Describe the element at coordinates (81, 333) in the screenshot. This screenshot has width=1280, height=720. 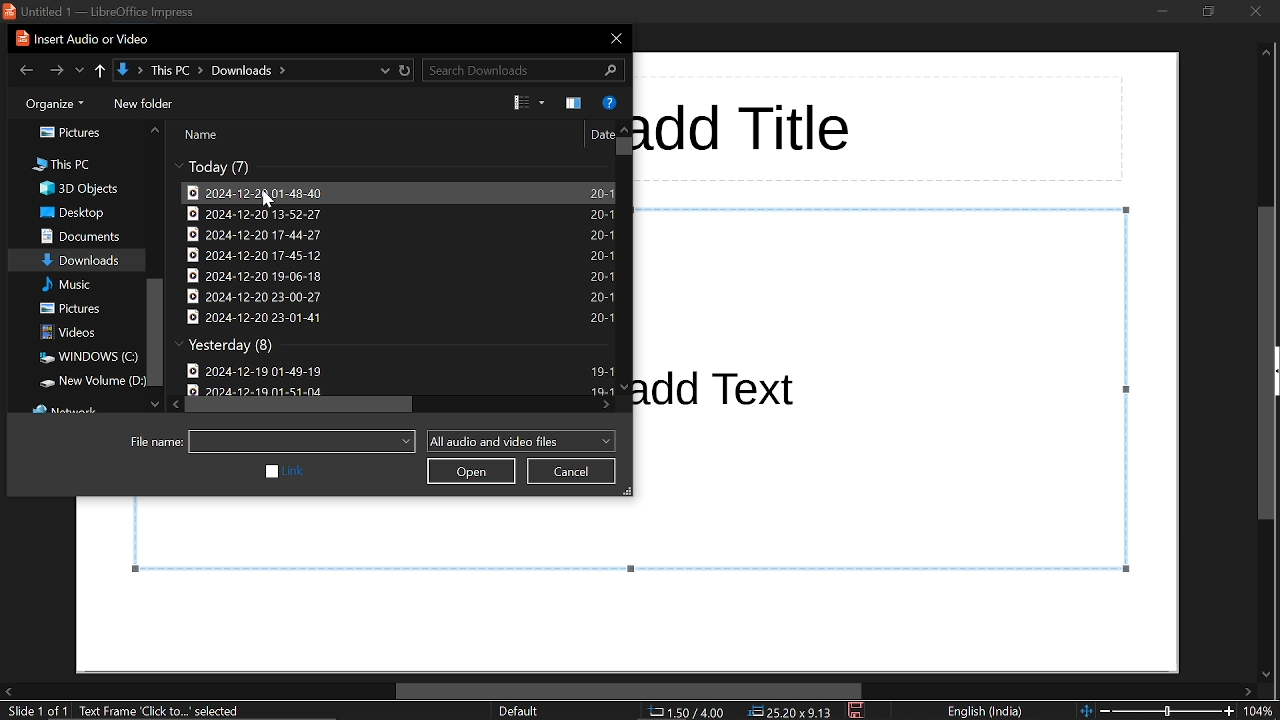
I see `videos` at that location.